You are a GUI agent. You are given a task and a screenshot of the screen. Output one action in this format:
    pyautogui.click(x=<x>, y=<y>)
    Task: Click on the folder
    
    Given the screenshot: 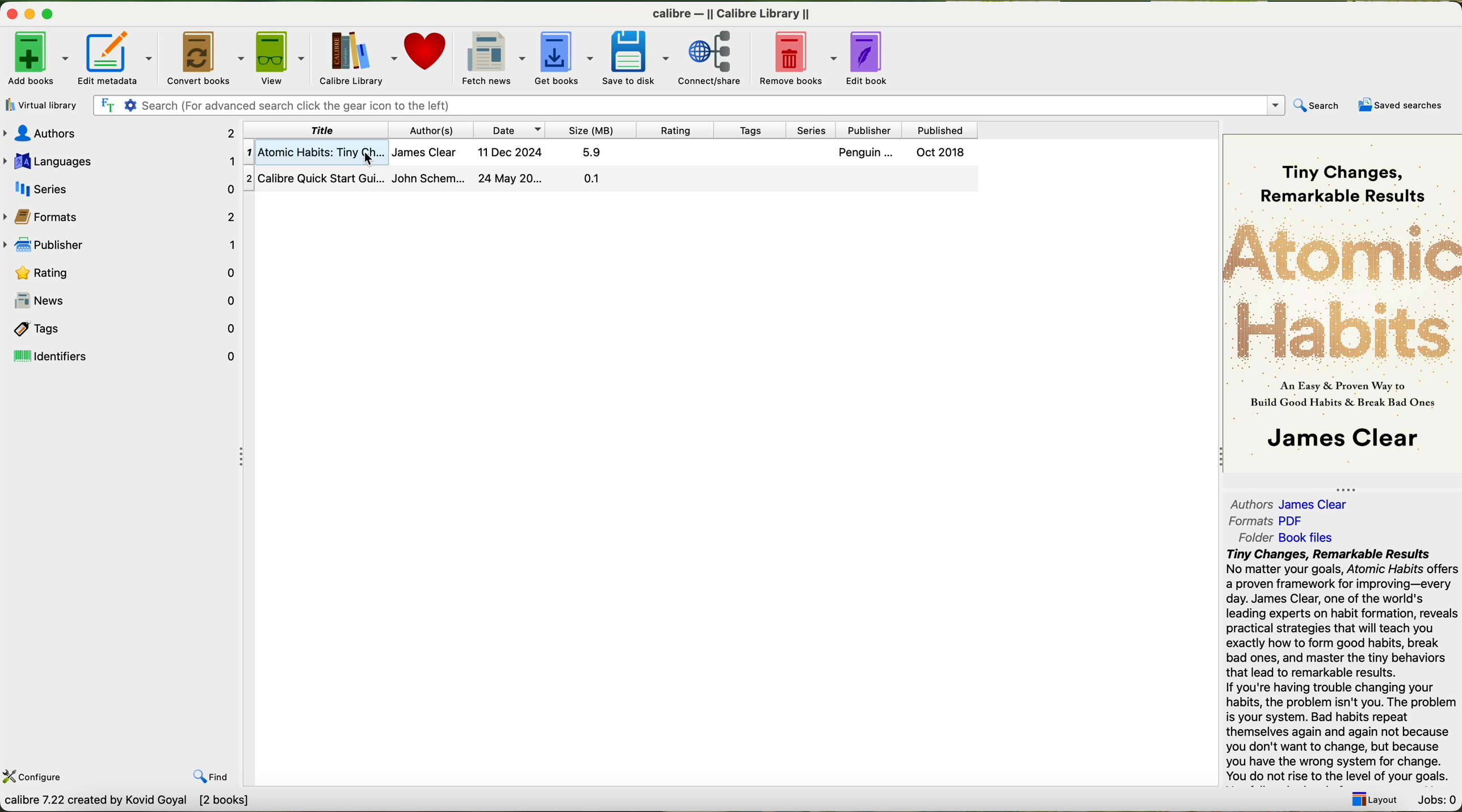 What is the action you would take?
    pyautogui.click(x=1294, y=537)
    